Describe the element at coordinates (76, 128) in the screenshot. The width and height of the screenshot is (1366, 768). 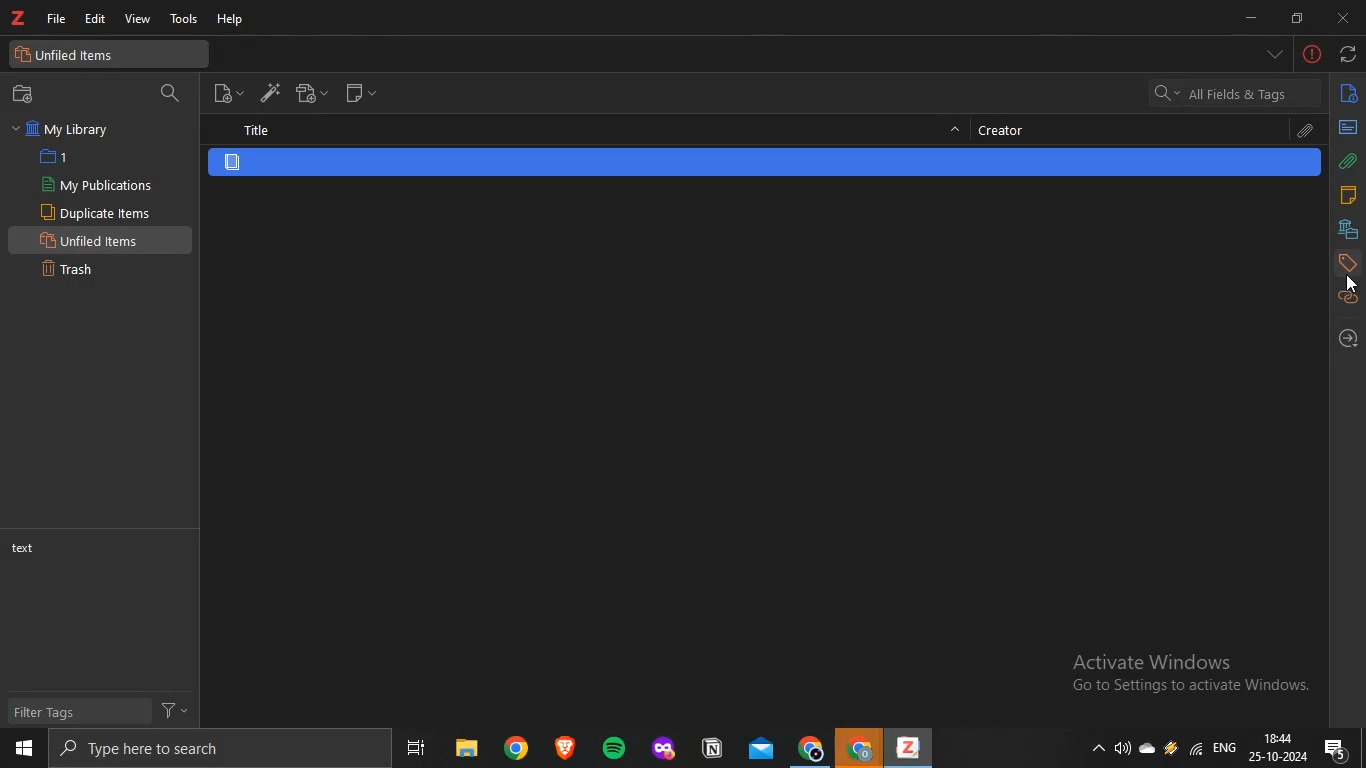
I see `my library` at that location.